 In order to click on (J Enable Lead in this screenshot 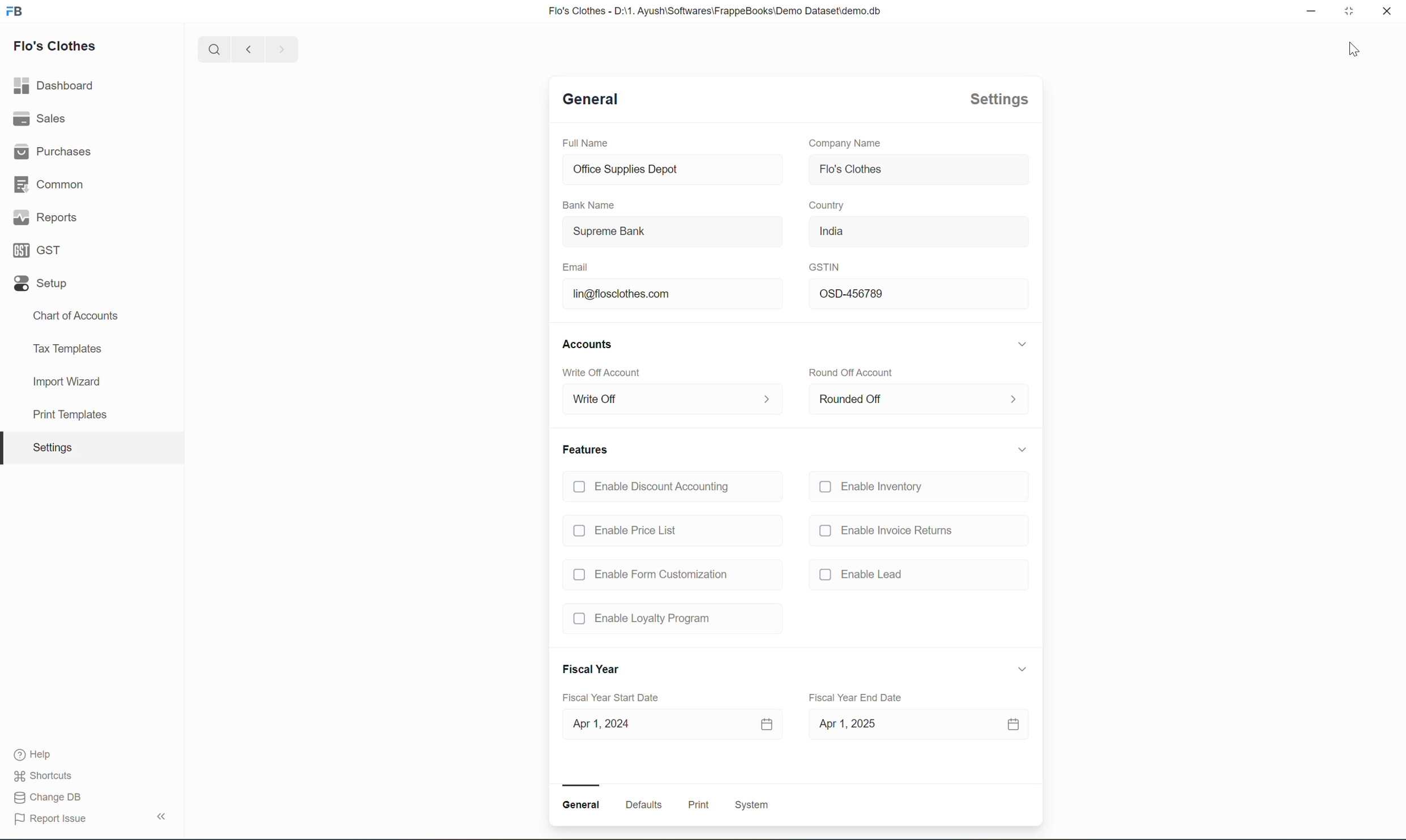, I will do `click(864, 573)`.